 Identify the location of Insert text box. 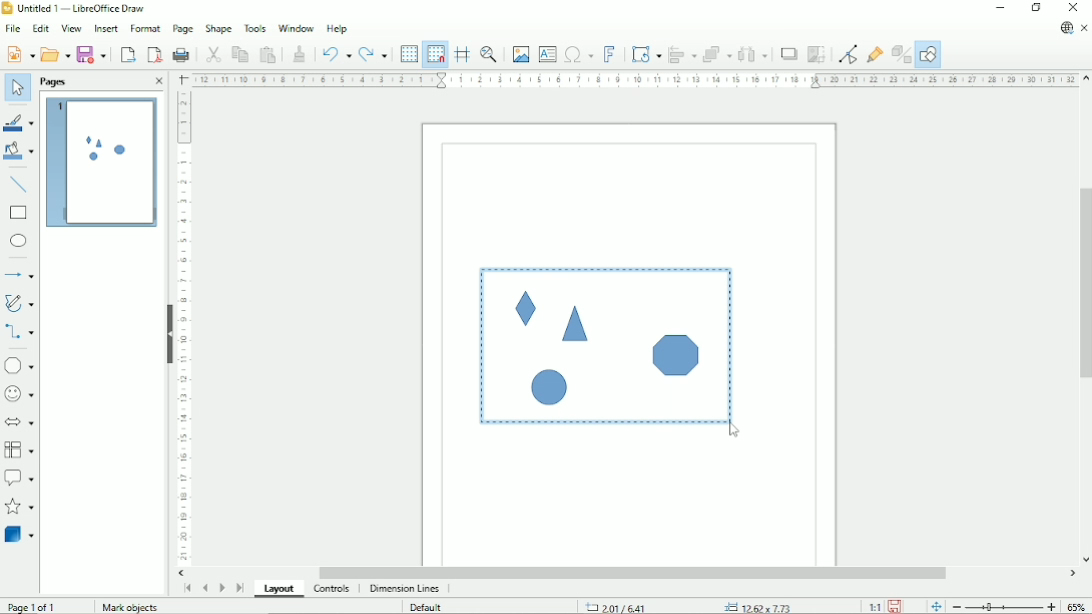
(547, 54).